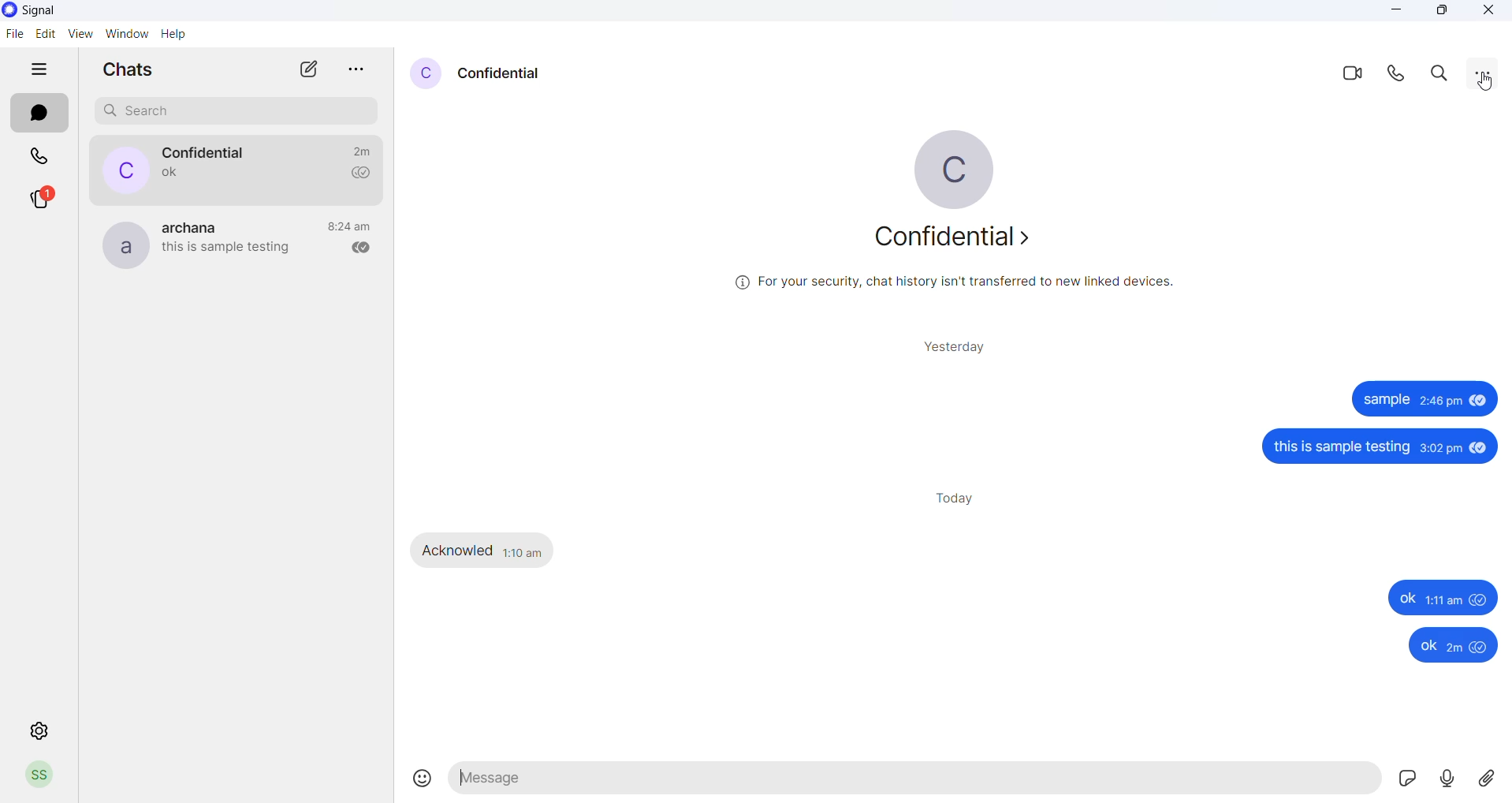 Image resolution: width=1512 pixels, height=803 pixels. Describe the element at coordinates (1394, 74) in the screenshot. I see `voice call` at that location.